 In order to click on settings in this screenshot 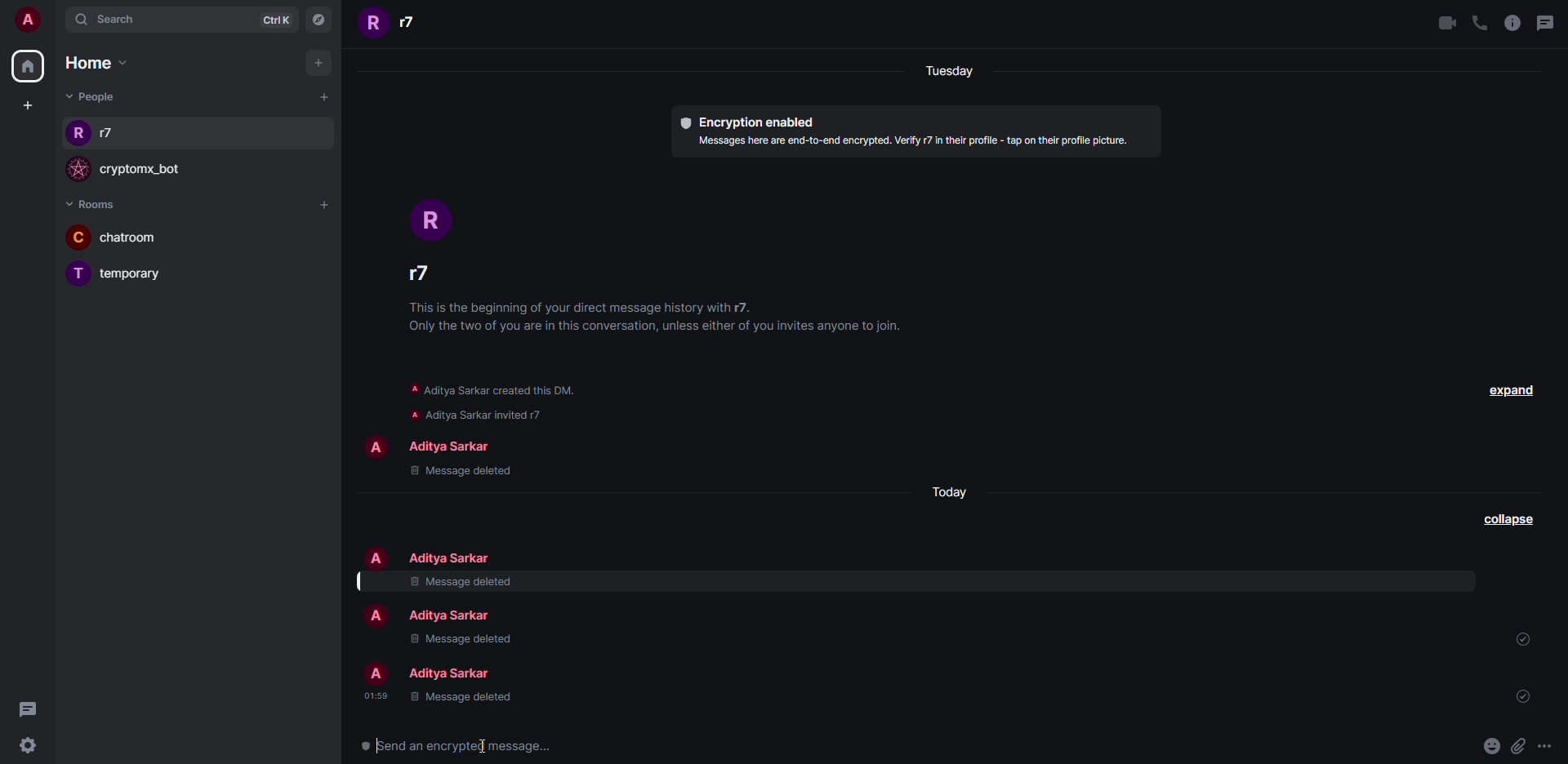, I will do `click(29, 748)`.